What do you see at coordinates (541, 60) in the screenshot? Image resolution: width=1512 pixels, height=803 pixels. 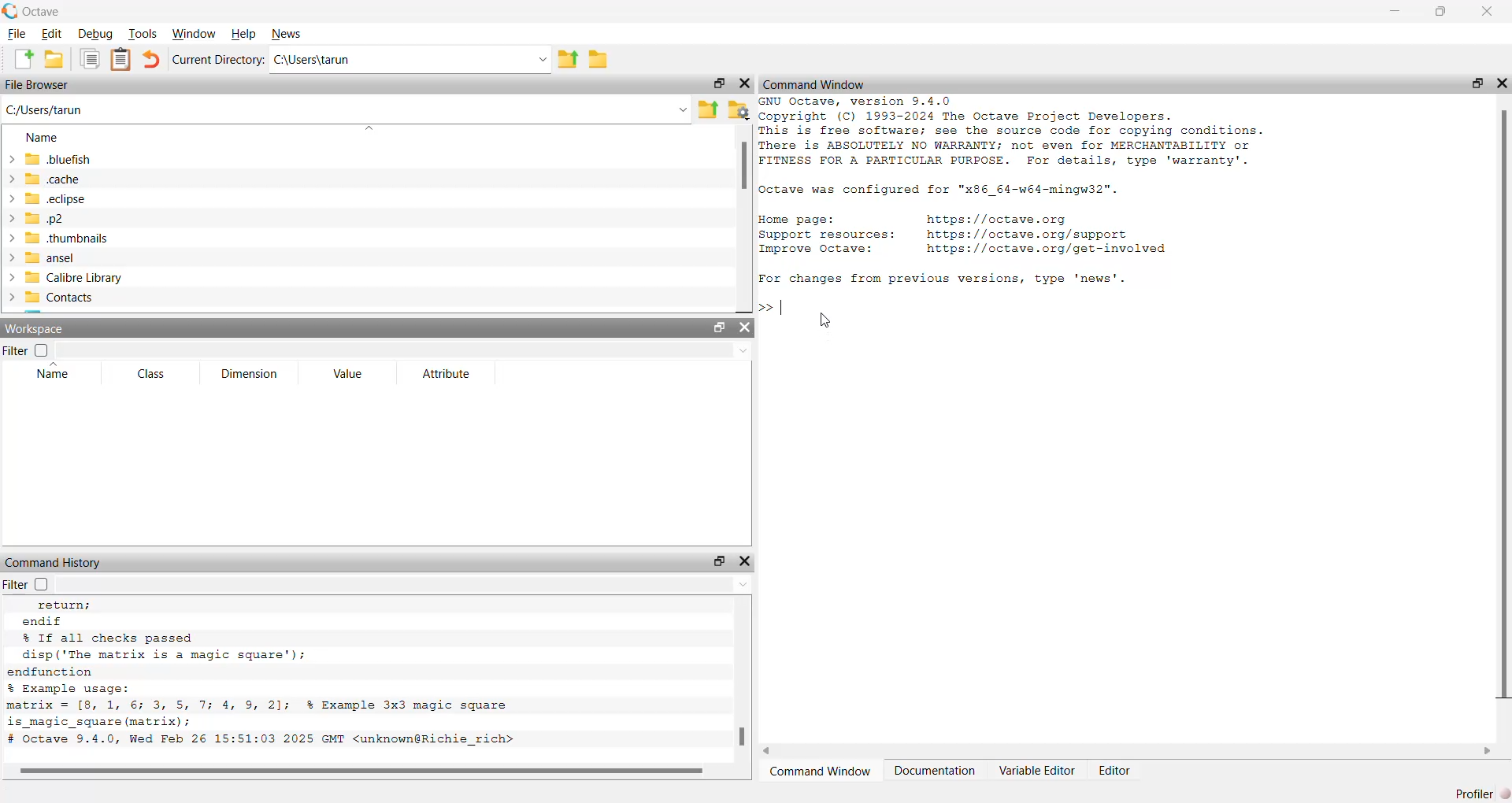 I see `dropdown` at bounding box center [541, 60].